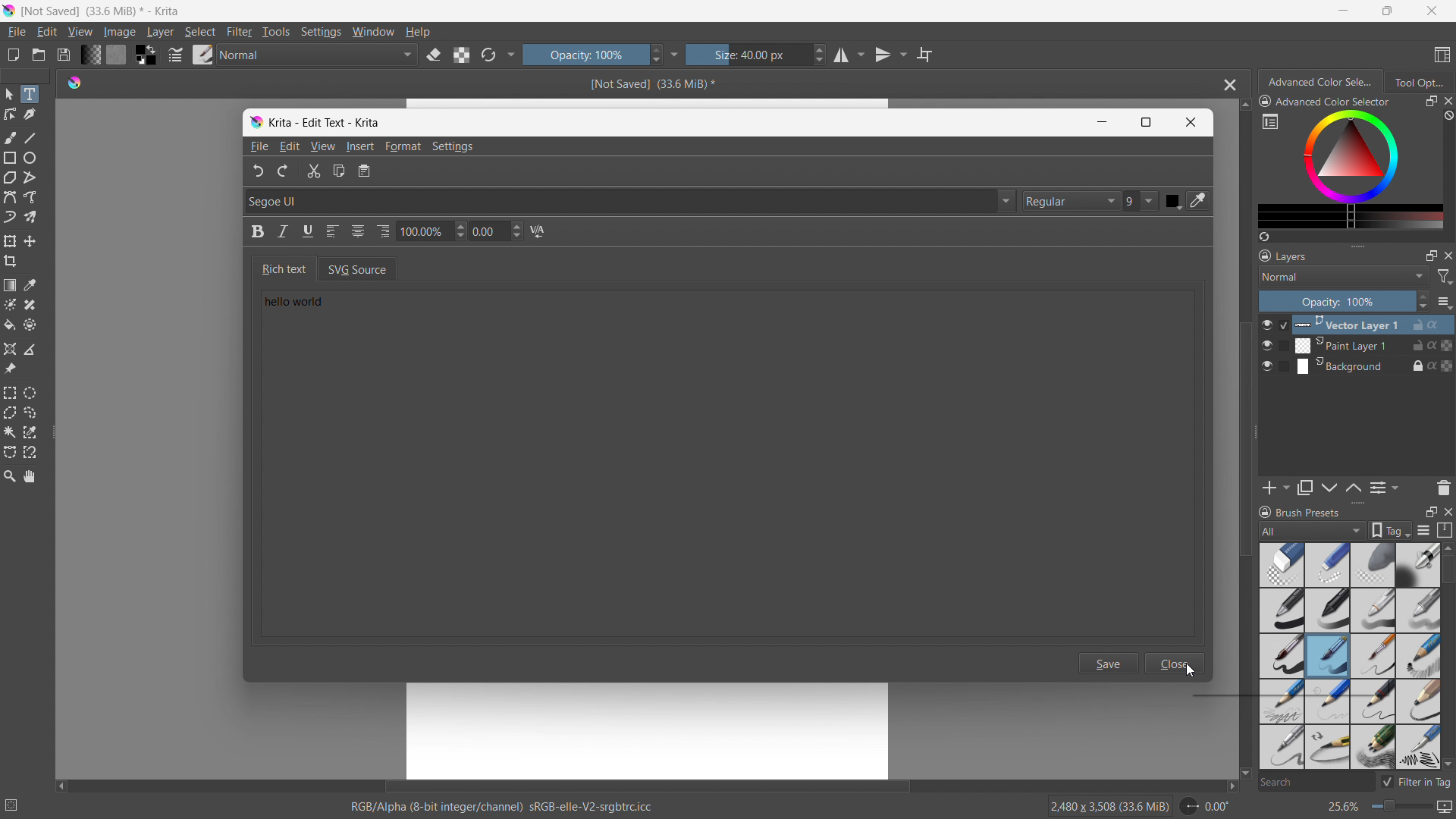  I want to click on resize , so click(1357, 504).